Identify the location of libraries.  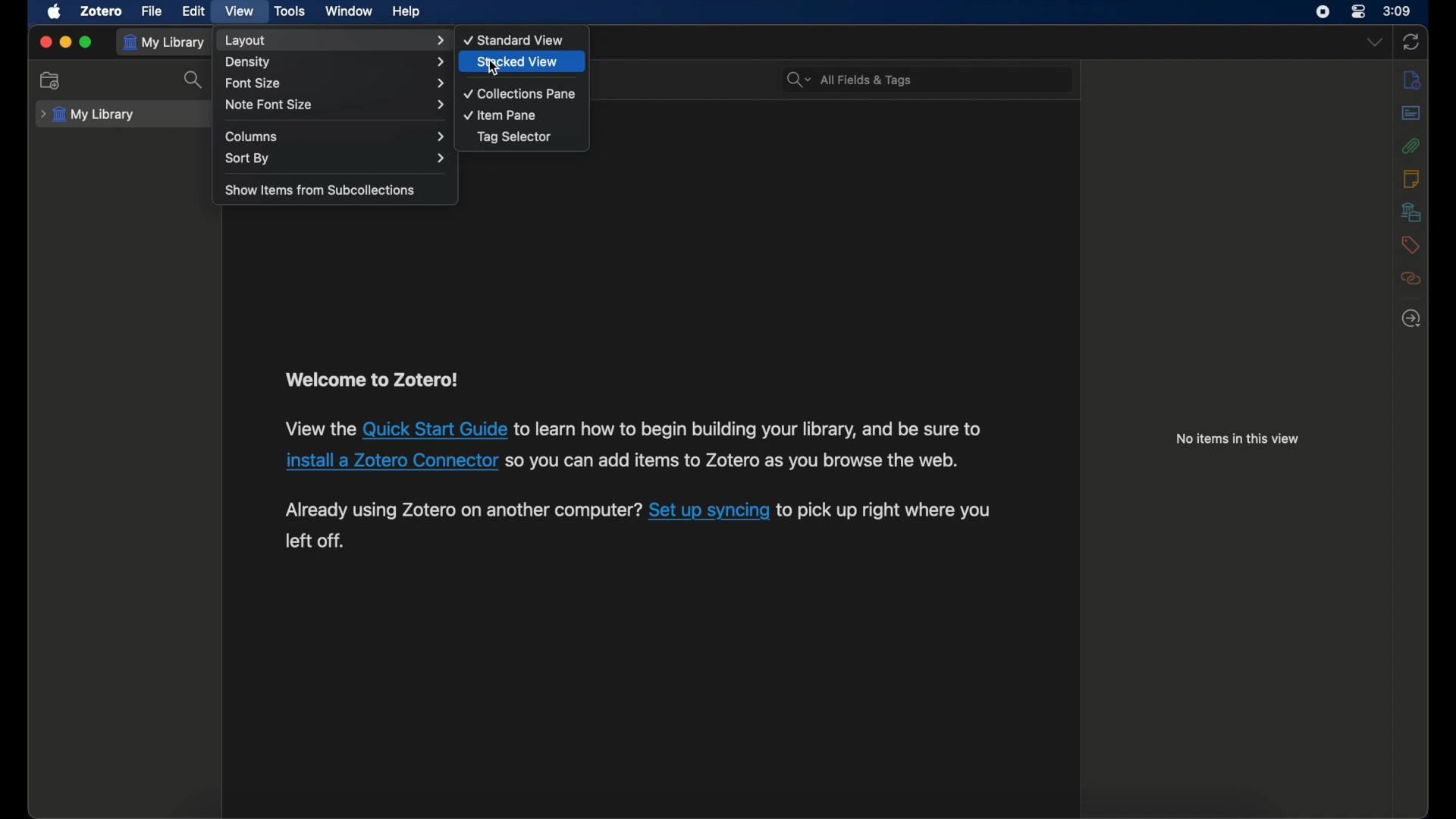
(1410, 212).